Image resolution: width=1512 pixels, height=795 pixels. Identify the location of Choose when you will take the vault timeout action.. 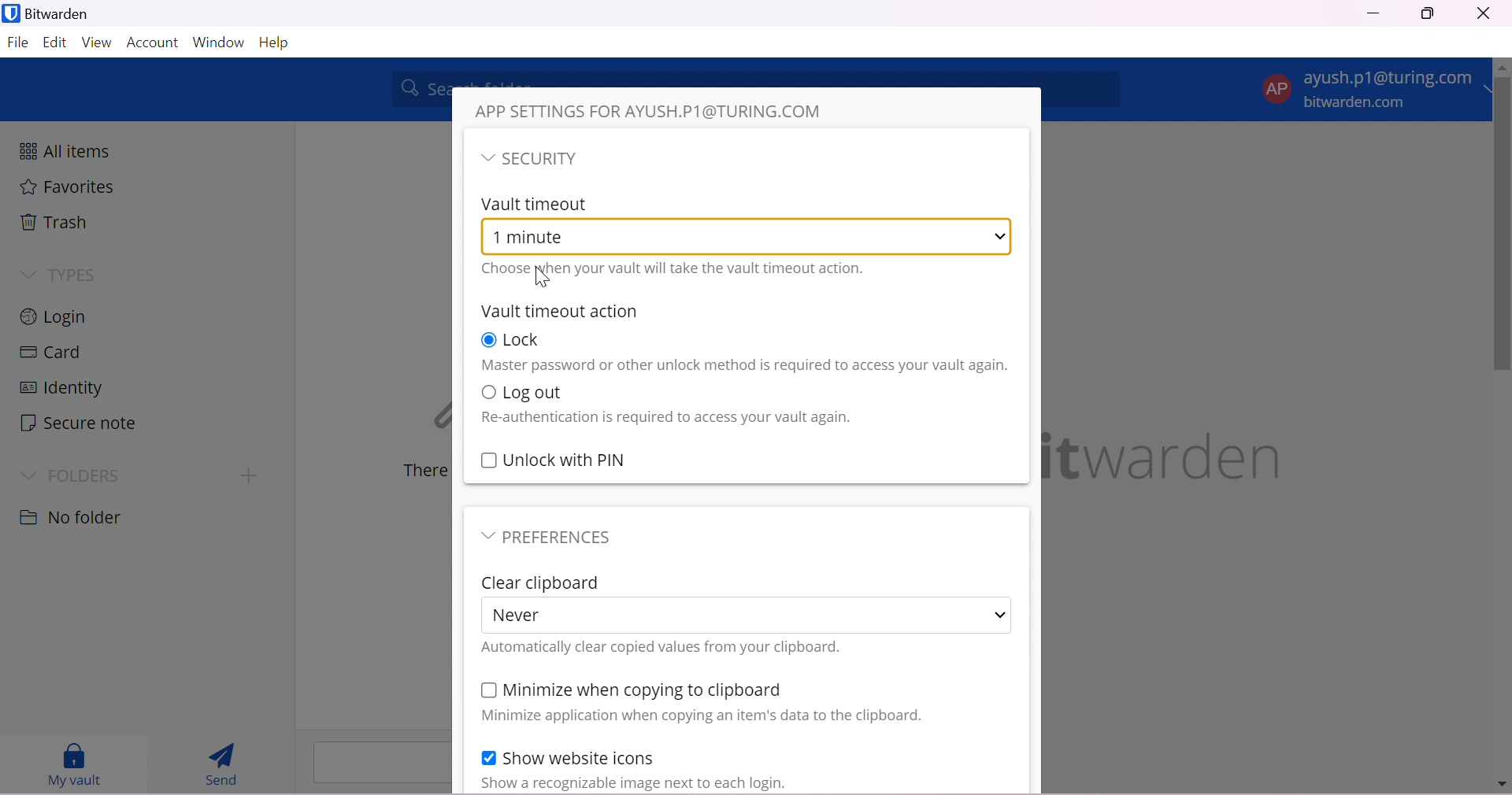
(675, 268).